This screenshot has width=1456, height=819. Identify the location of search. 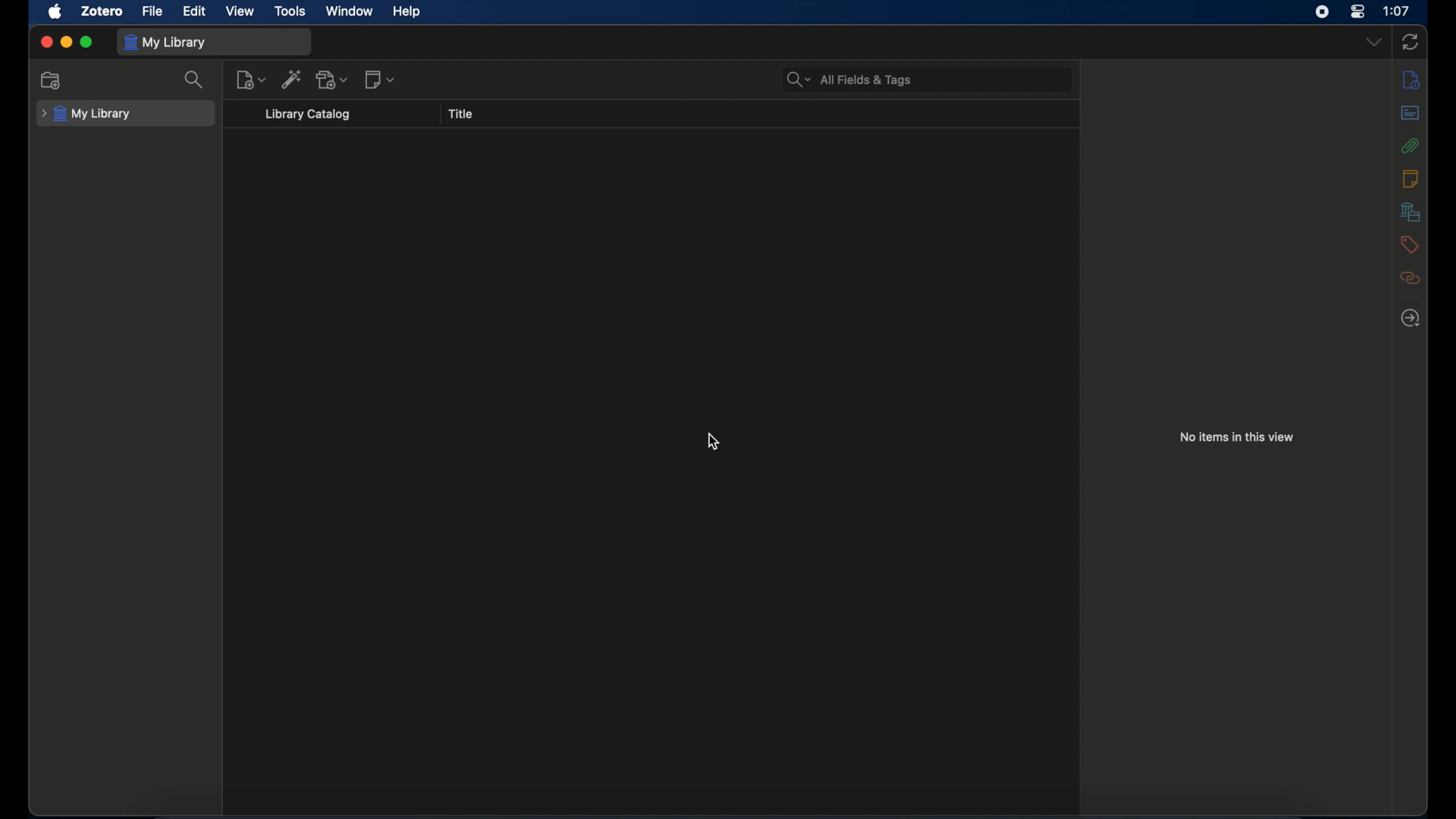
(196, 80).